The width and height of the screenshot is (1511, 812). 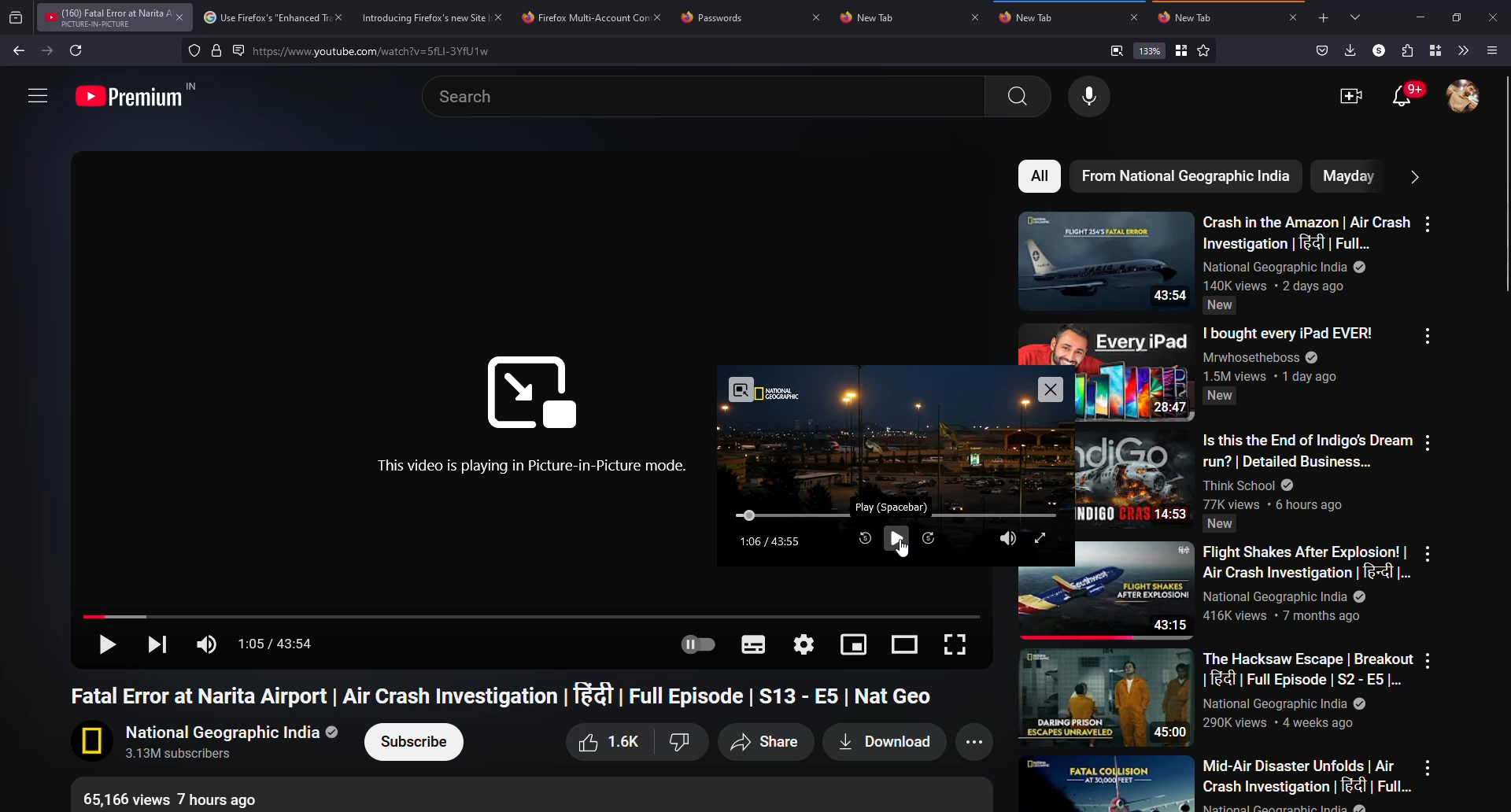 What do you see at coordinates (864, 539) in the screenshot?
I see `rewind` at bounding box center [864, 539].